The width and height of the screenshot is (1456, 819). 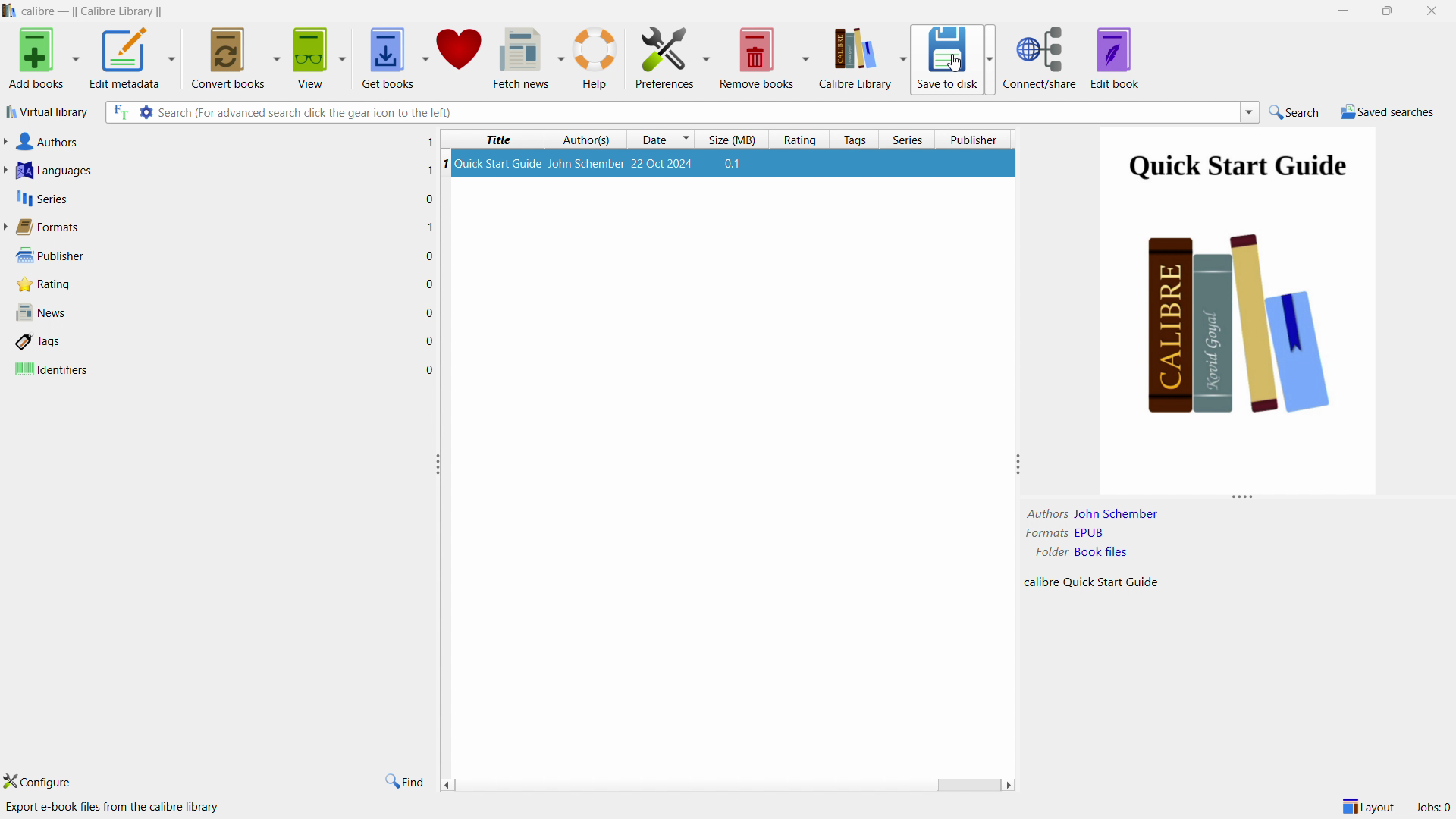 I want to click on edit book, so click(x=1114, y=58).